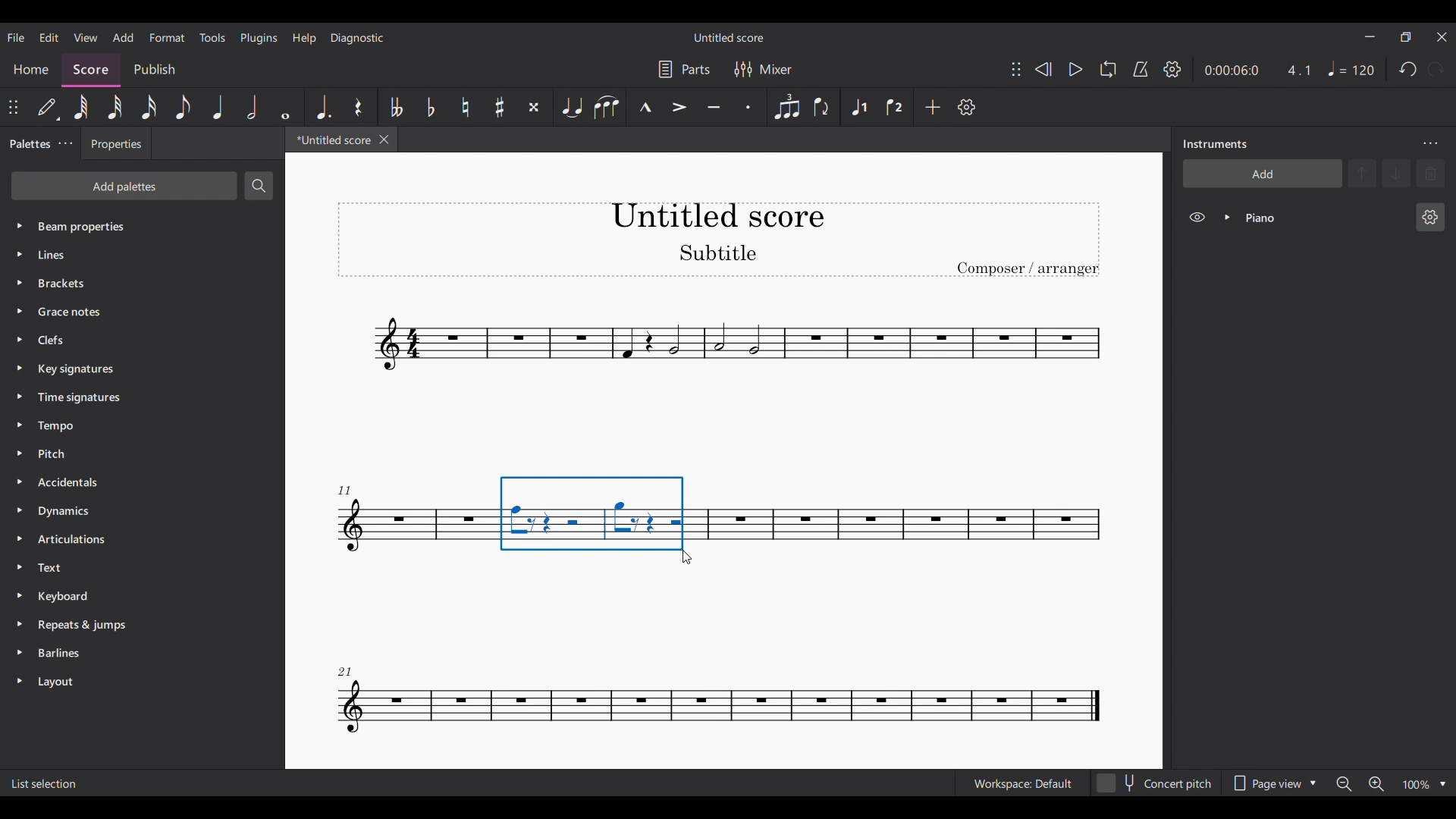 The height and width of the screenshot is (819, 1456). What do you see at coordinates (304, 39) in the screenshot?
I see `Help menu` at bounding box center [304, 39].